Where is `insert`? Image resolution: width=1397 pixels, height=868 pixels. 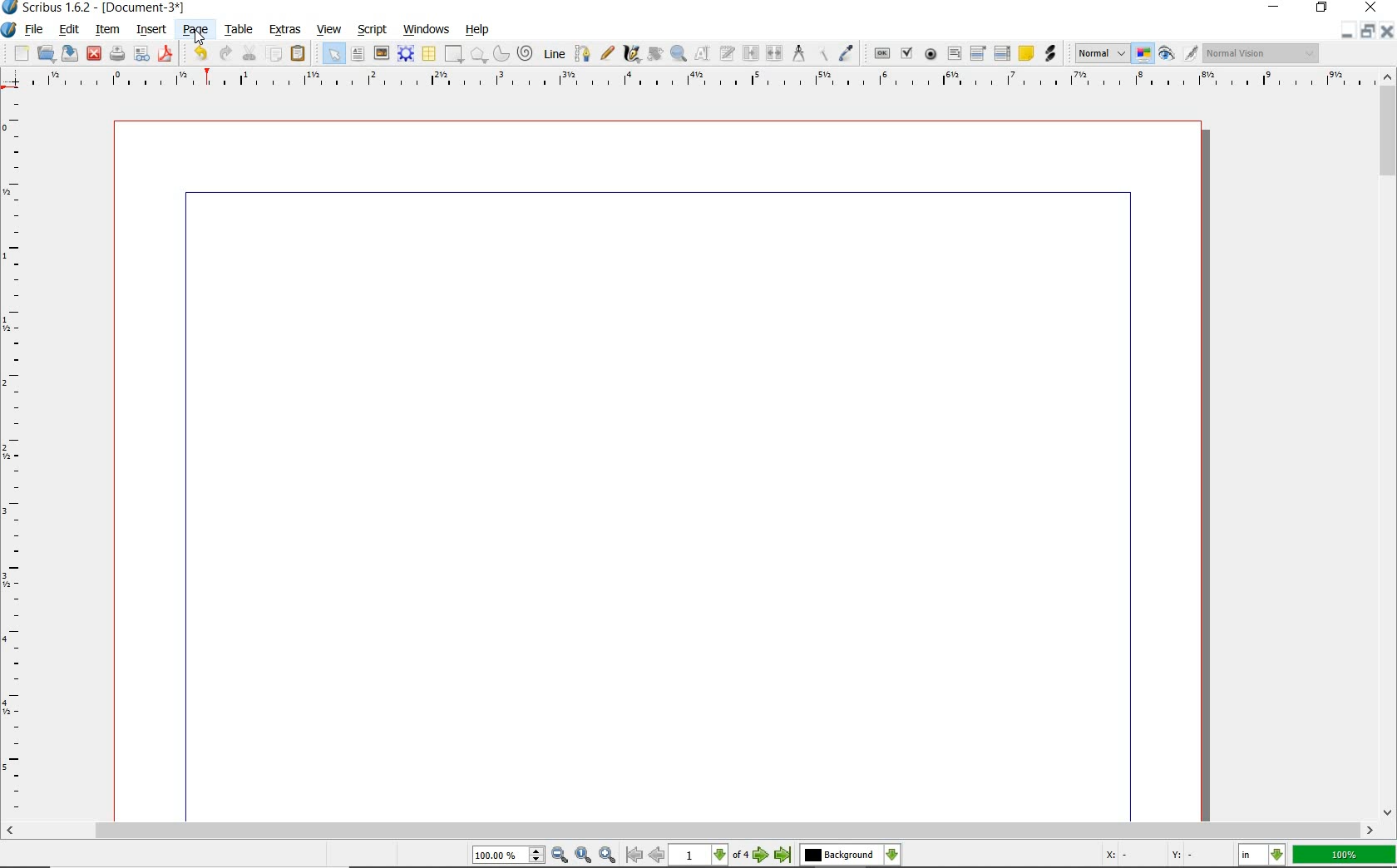 insert is located at coordinates (151, 30).